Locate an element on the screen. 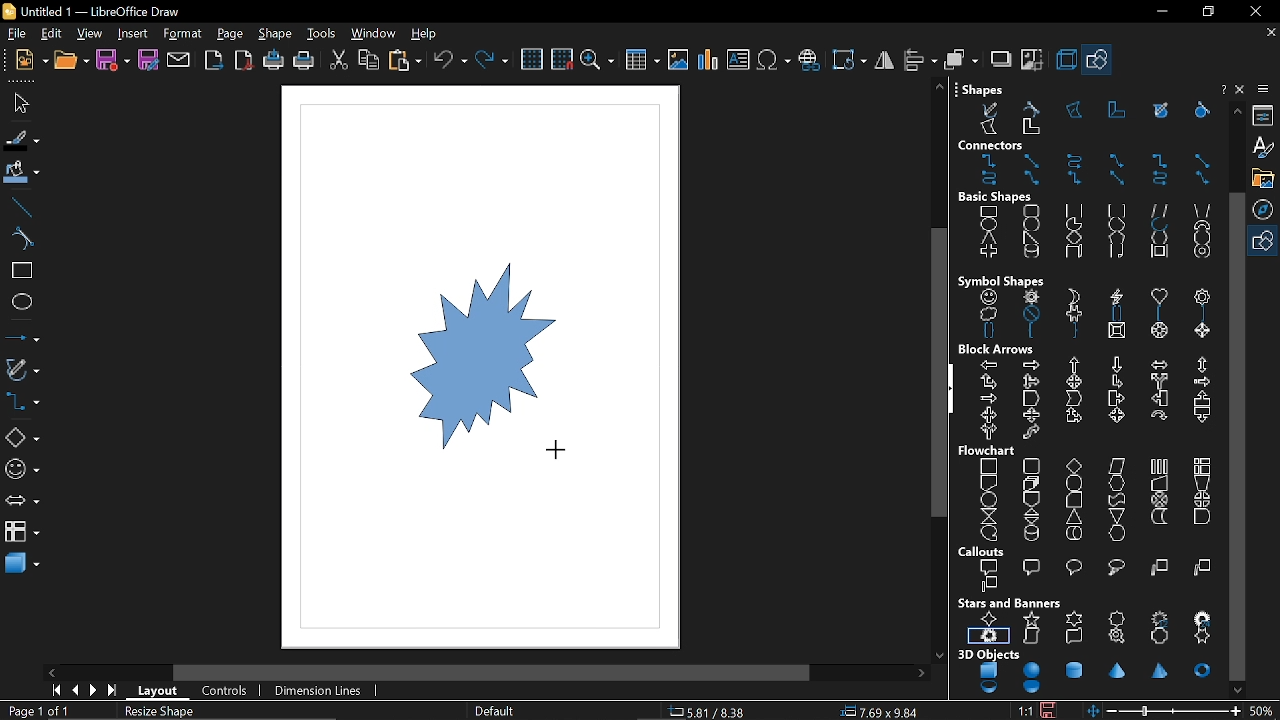 The width and height of the screenshot is (1280, 720). Transformation is located at coordinates (847, 59).